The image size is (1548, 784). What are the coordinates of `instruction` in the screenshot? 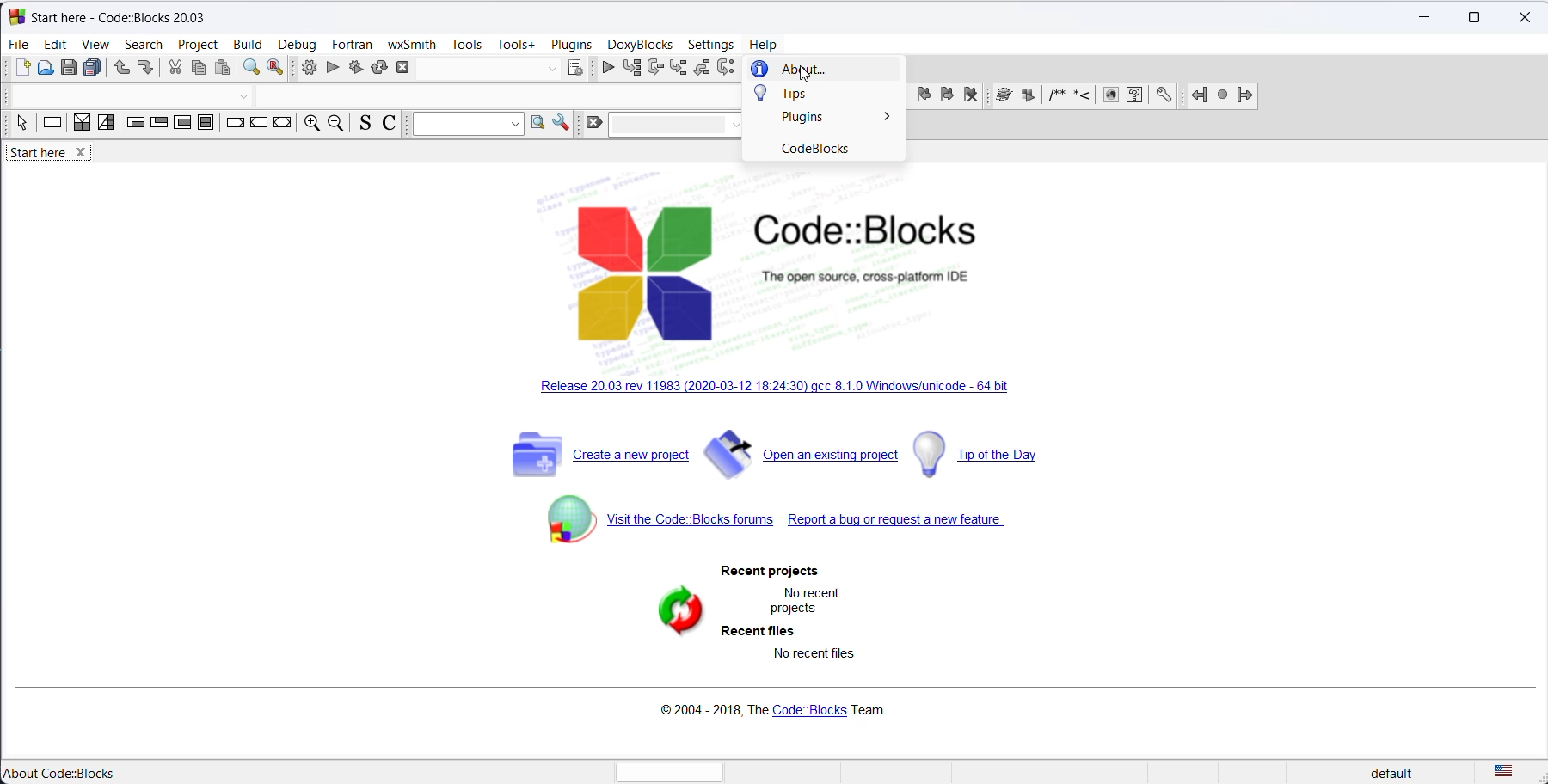 It's located at (49, 124).